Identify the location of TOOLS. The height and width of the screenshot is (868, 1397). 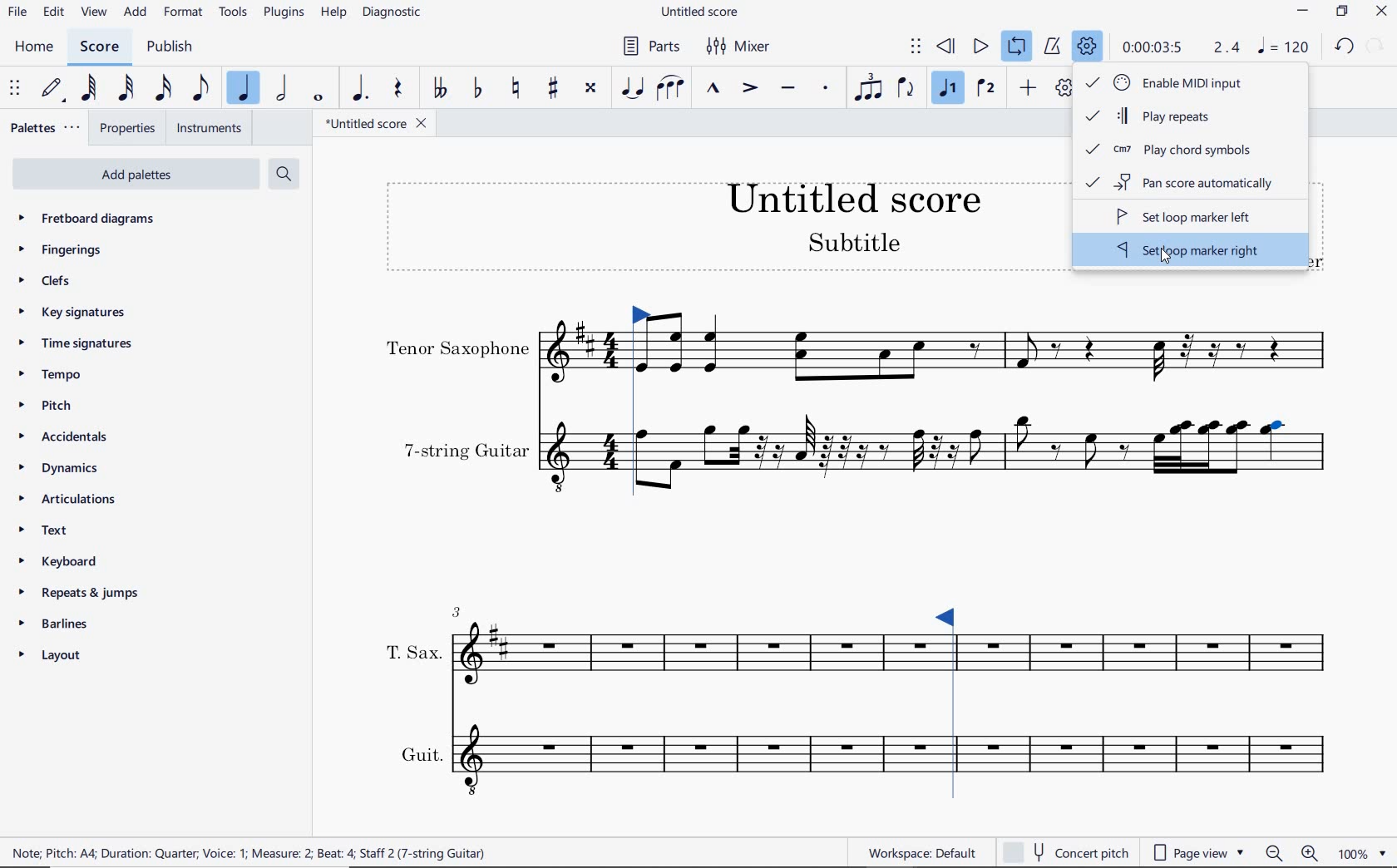
(234, 13).